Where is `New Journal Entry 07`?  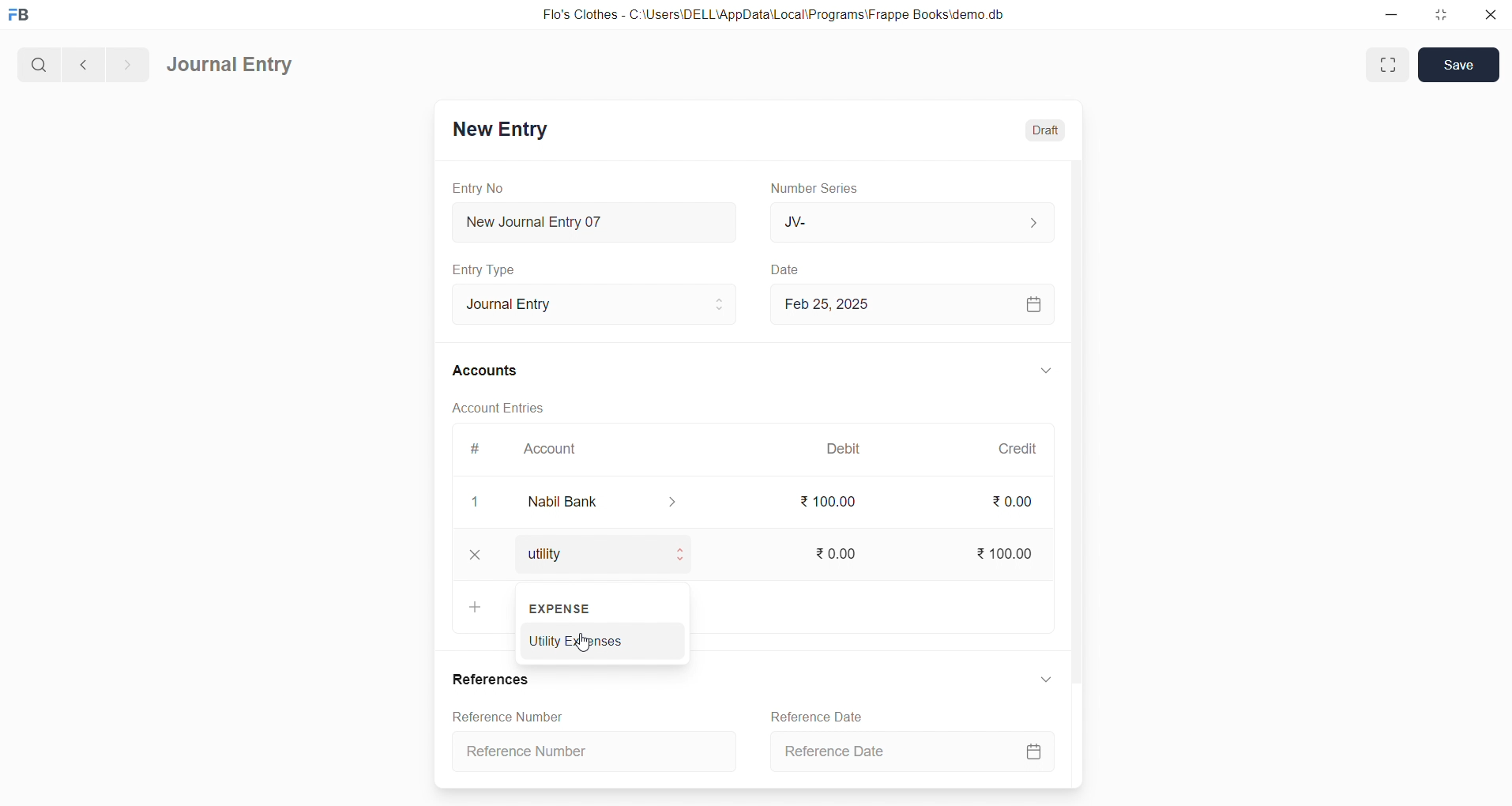 New Journal Entry 07 is located at coordinates (588, 218).